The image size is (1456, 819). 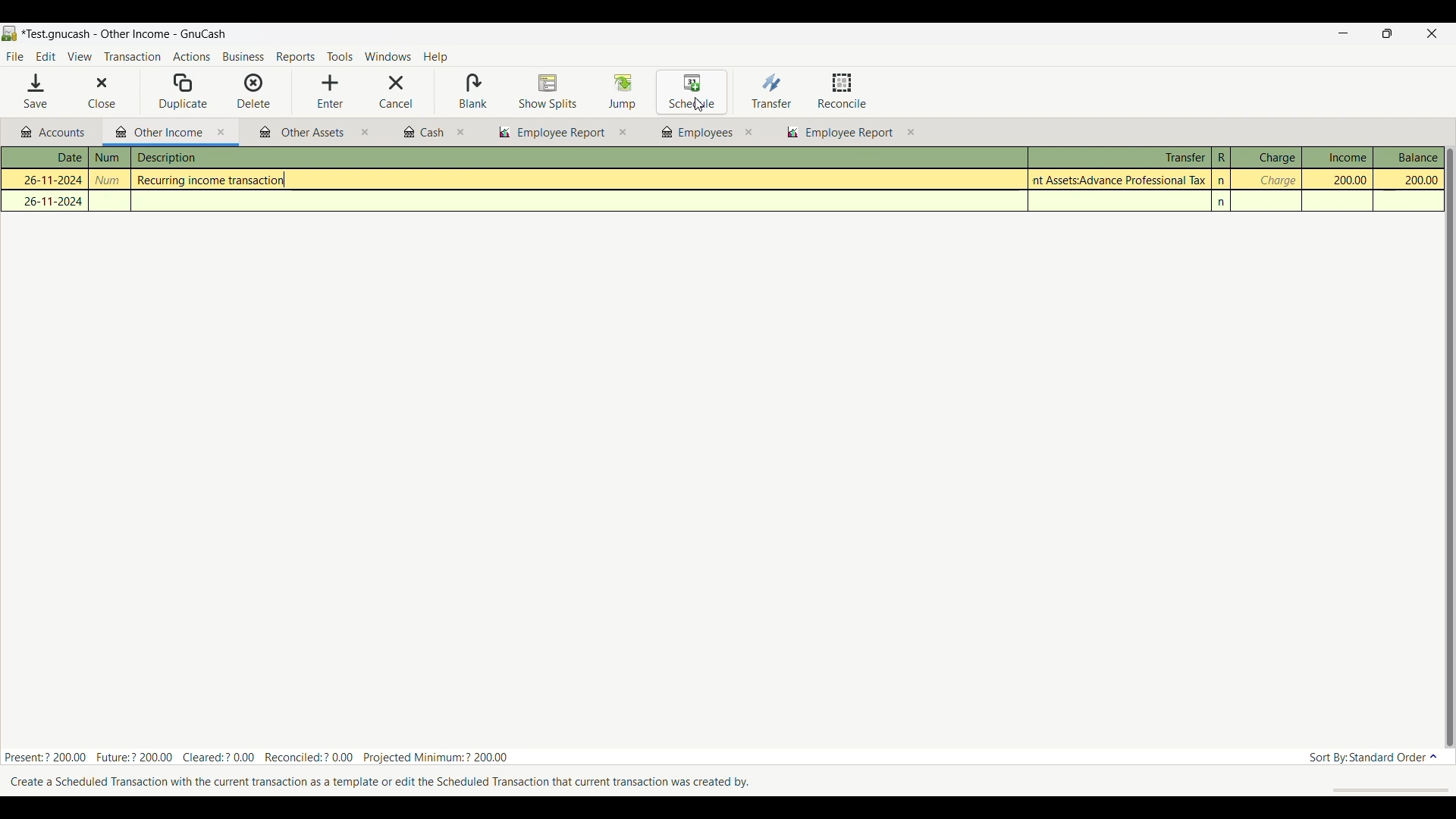 What do you see at coordinates (1382, 789) in the screenshot?
I see `scroll` at bounding box center [1382, 789].